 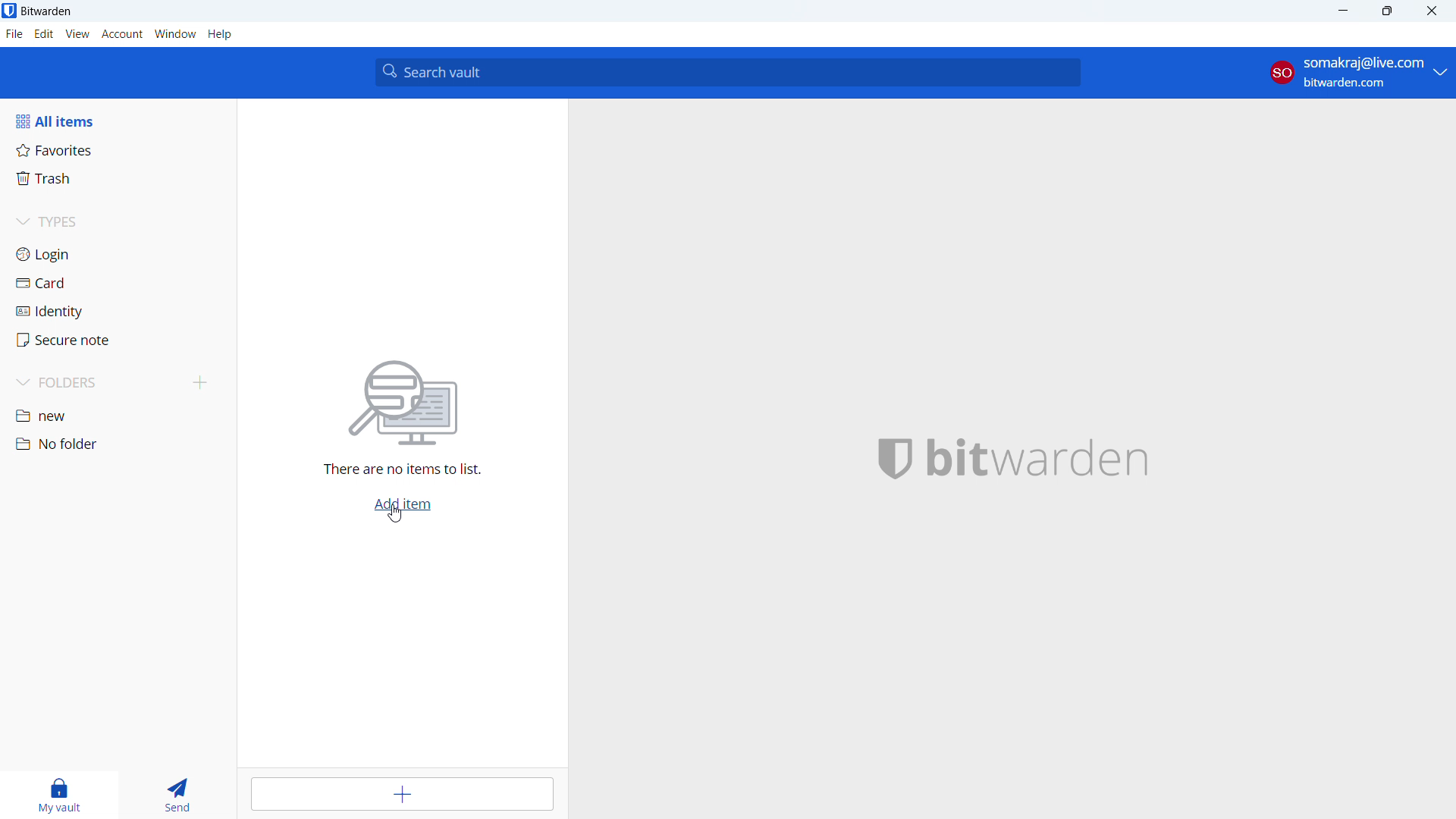 I want to click on send, so click(x=175, y=795).